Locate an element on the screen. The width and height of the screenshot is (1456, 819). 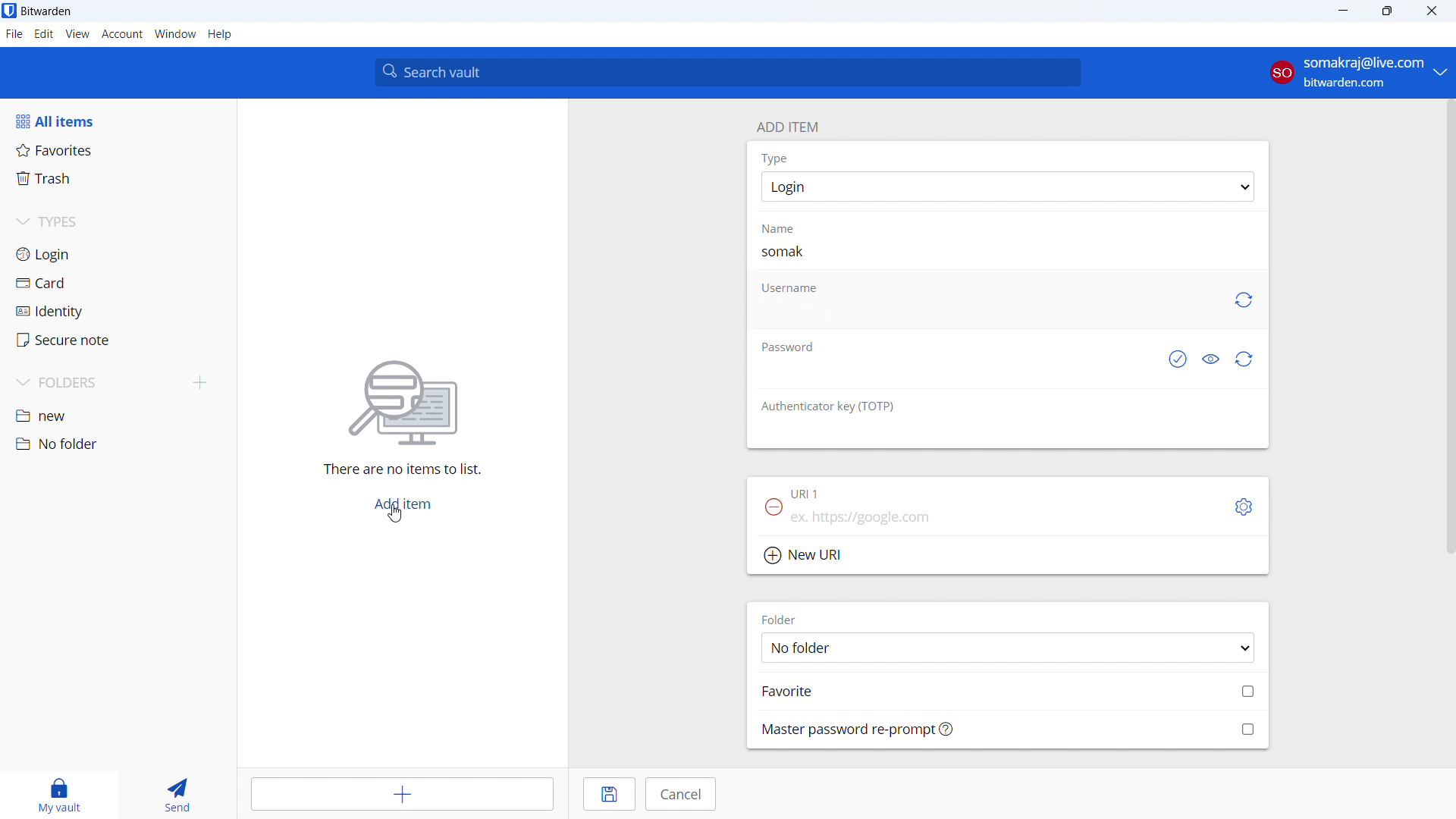
title is located at coordinates (46, 11).